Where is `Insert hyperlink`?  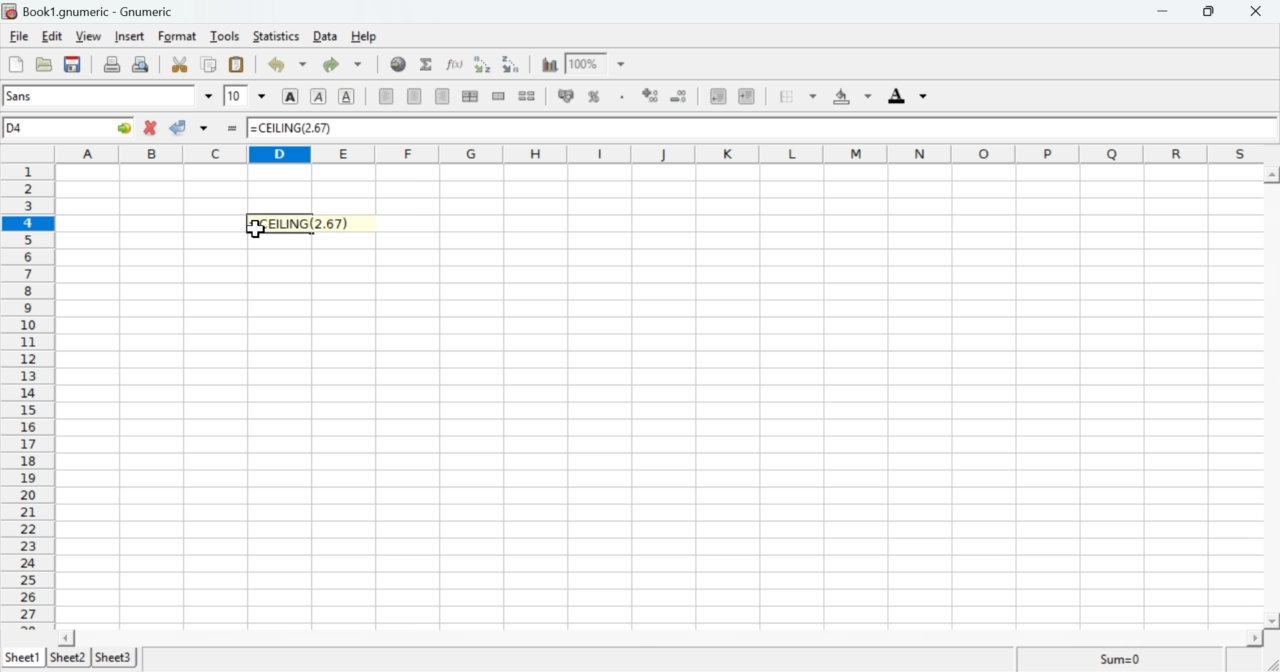 Insert hyperlink is located at coordinates (399, 64).